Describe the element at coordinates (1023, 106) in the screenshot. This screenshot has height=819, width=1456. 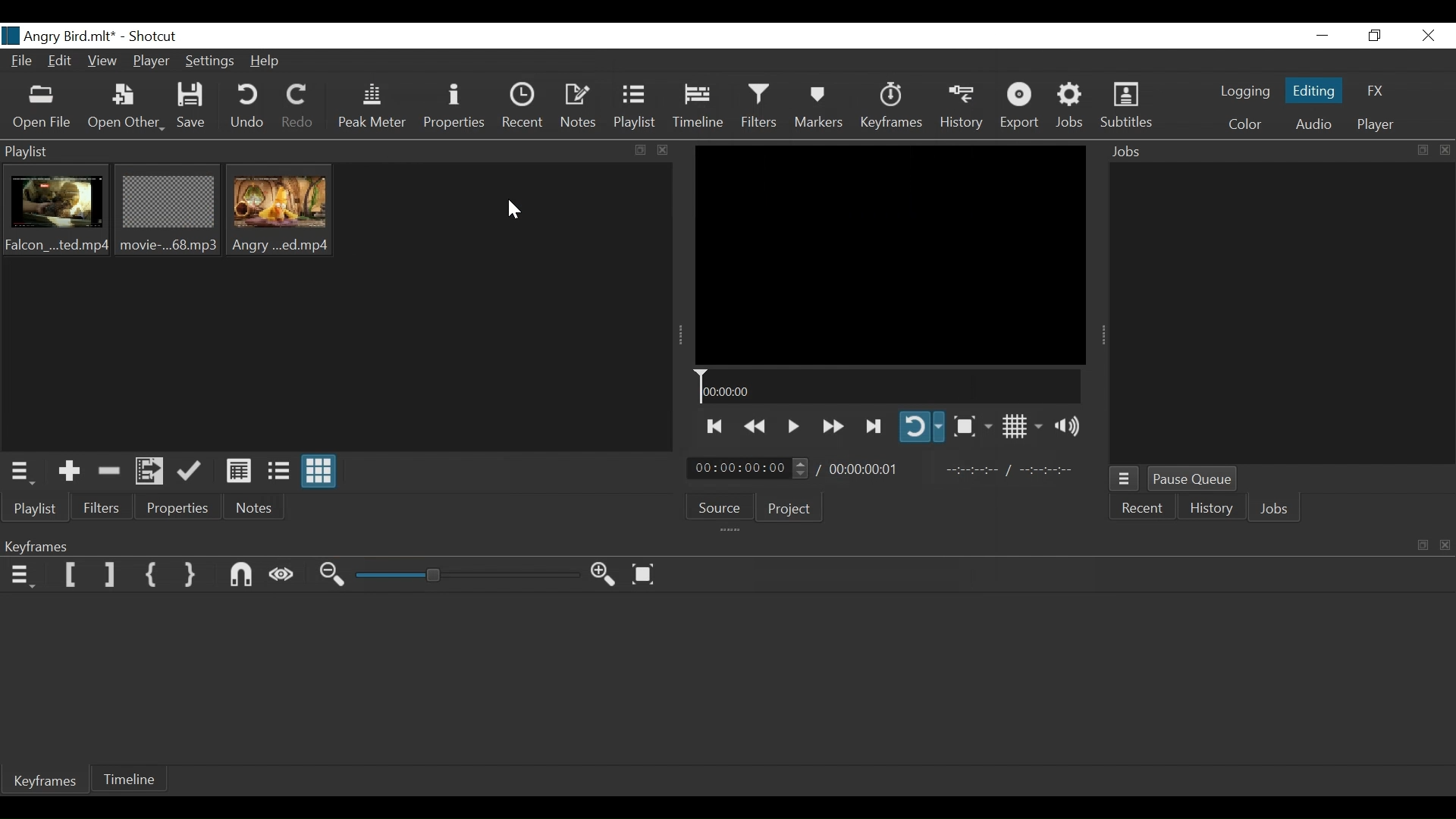
I see `Export` at that location.